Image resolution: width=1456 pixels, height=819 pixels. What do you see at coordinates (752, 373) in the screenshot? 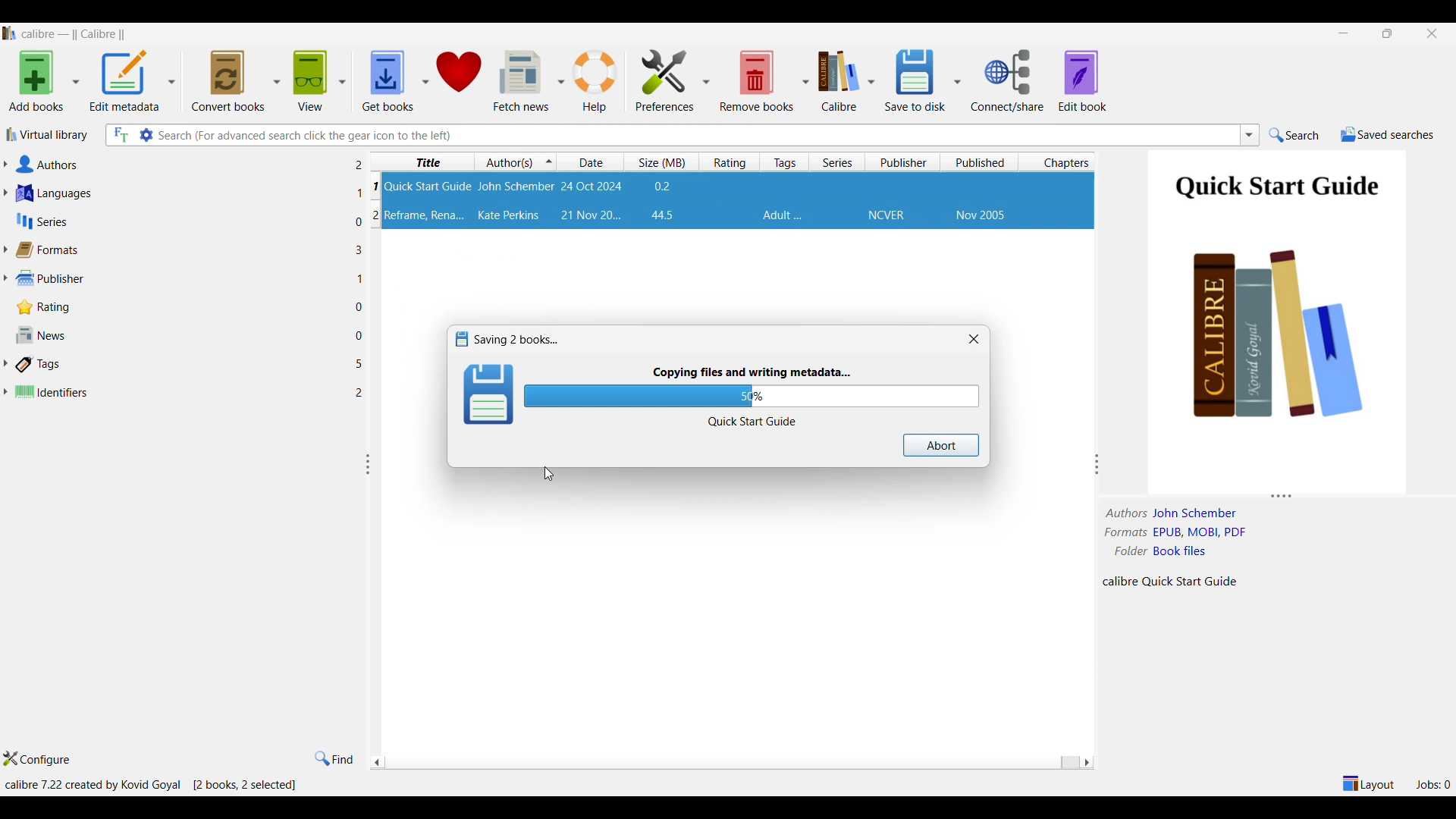
I see `Current action being performed` at bounding box center [752, 373].